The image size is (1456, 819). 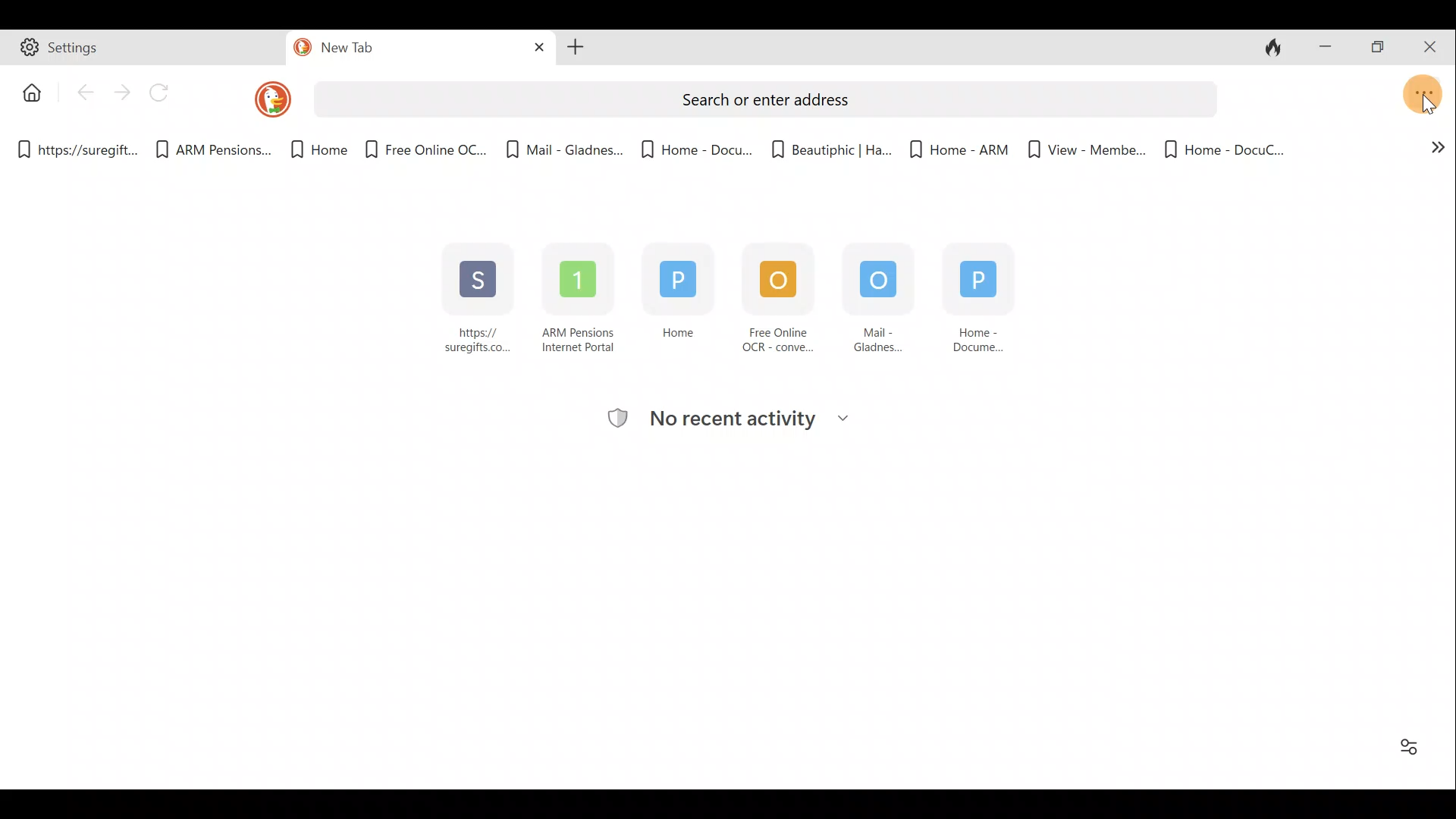 I want to click on cursor, so click(x=1426, y=105).